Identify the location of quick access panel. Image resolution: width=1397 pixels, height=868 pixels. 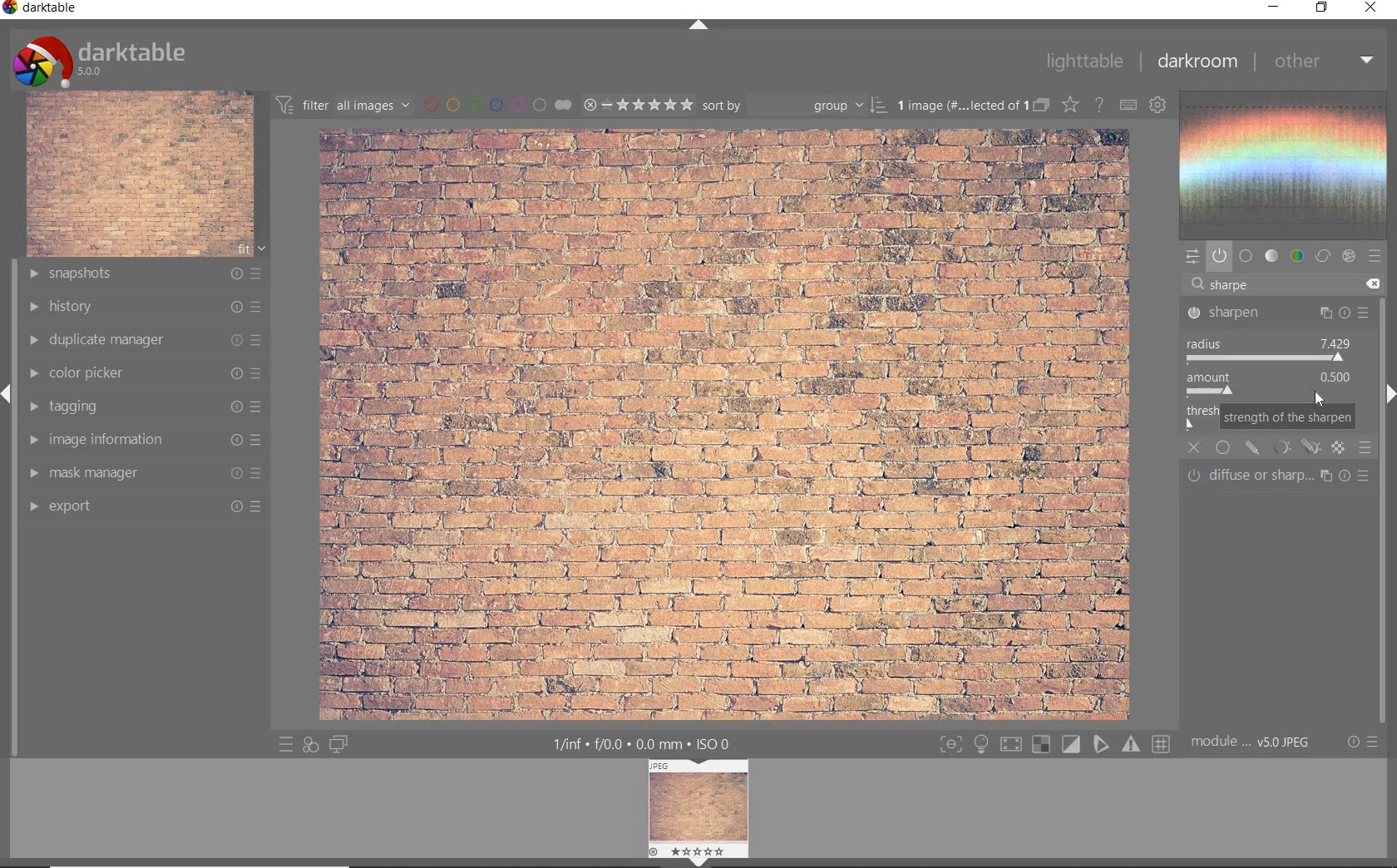
(1193, 258).